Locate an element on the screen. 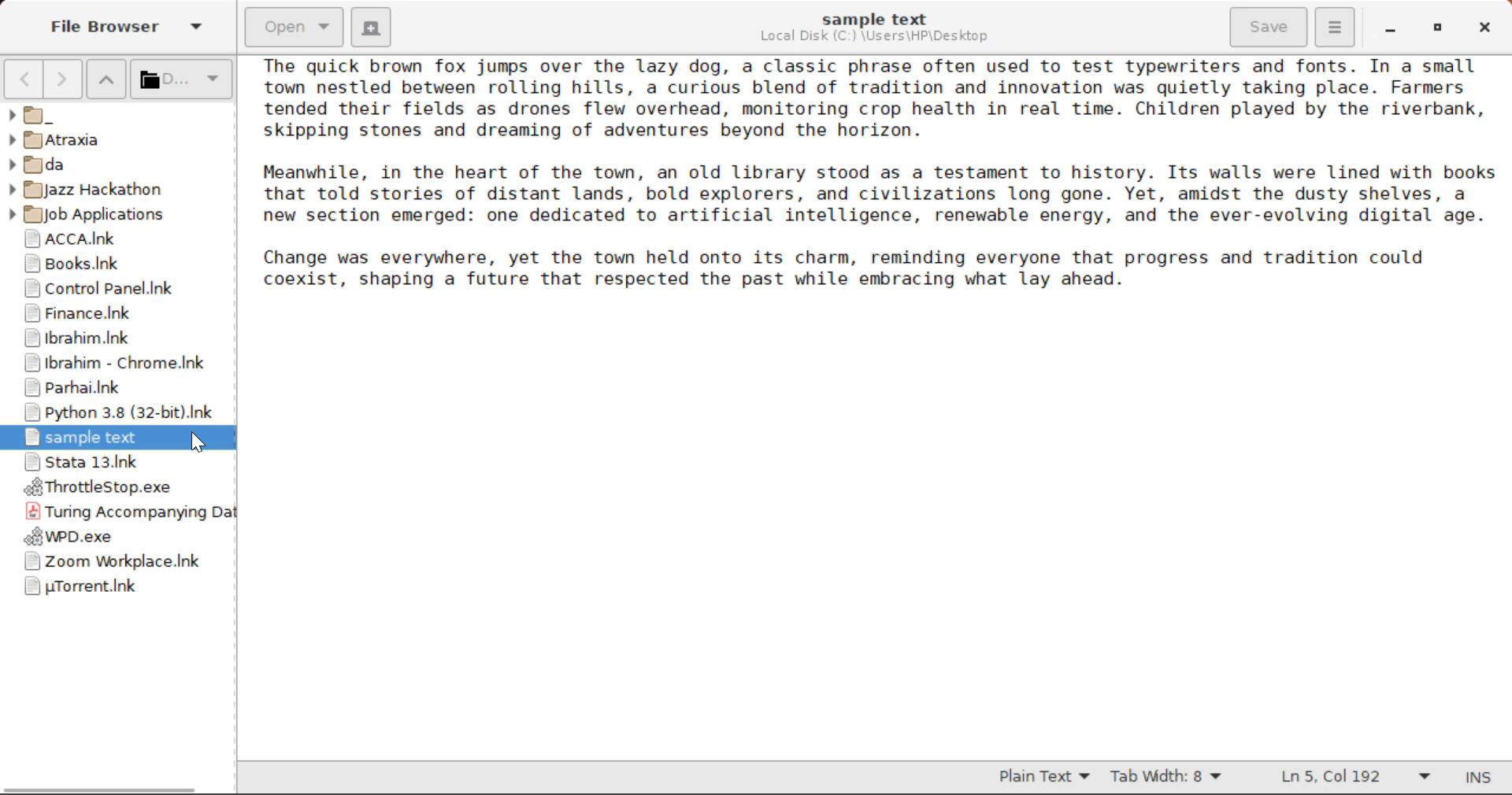  Selected Text Format is located at coordinates (1045, 776).